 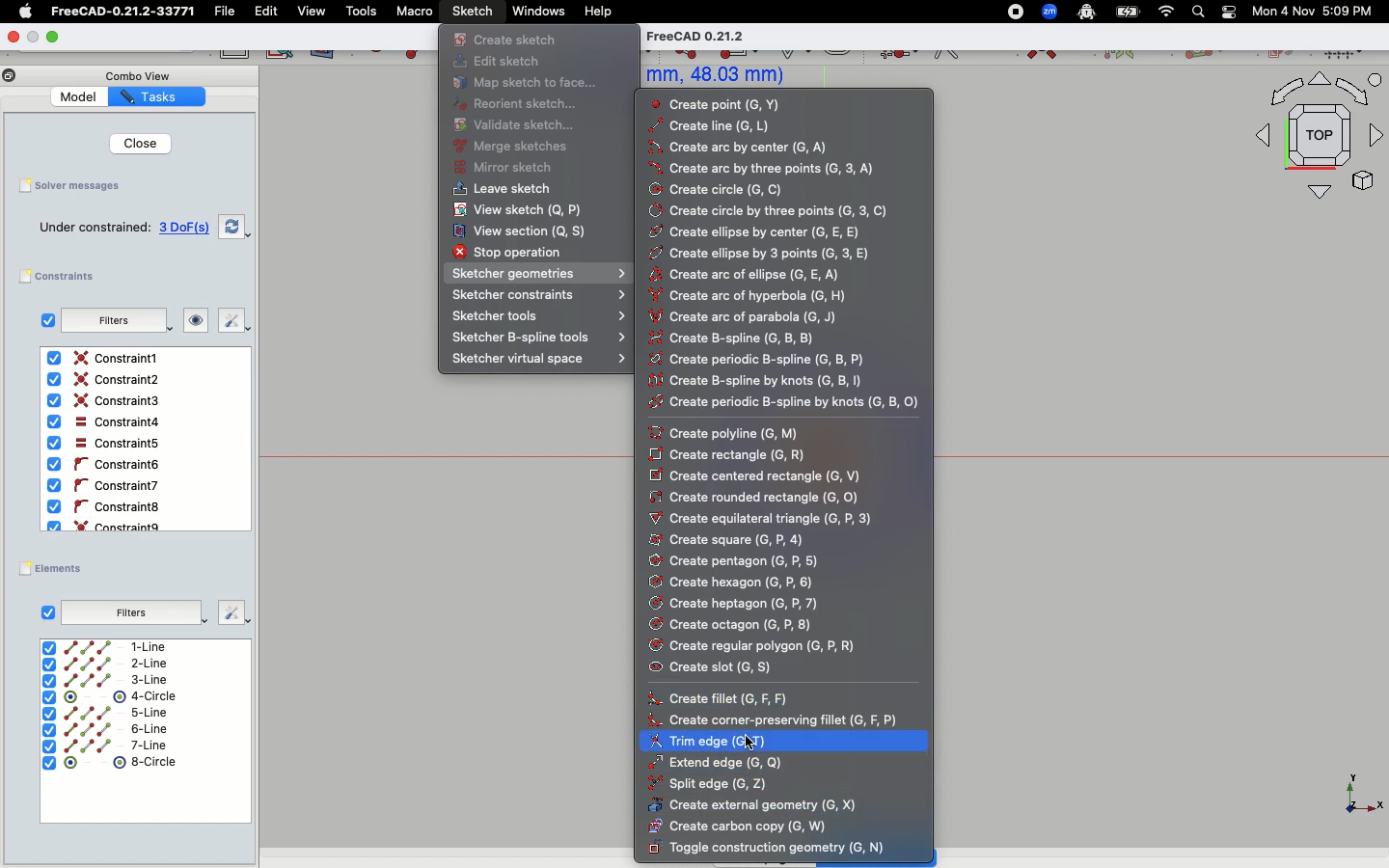 What do you see at coordinates (160, 96) in the screenshot?
I see `Tasks` at bounding box center [160, 96].